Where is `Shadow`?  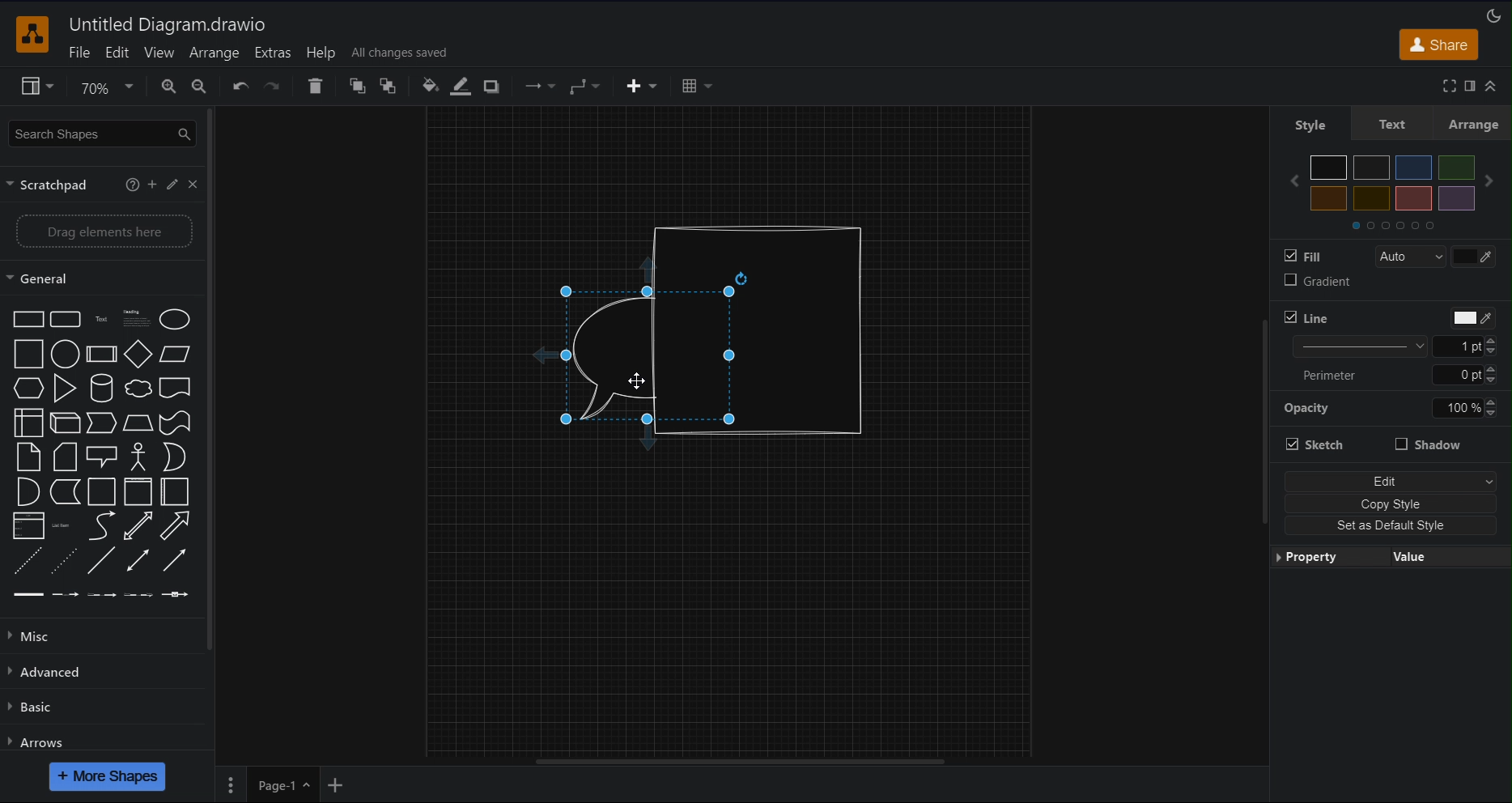 Shadow is located at coordinates (1429, 444).